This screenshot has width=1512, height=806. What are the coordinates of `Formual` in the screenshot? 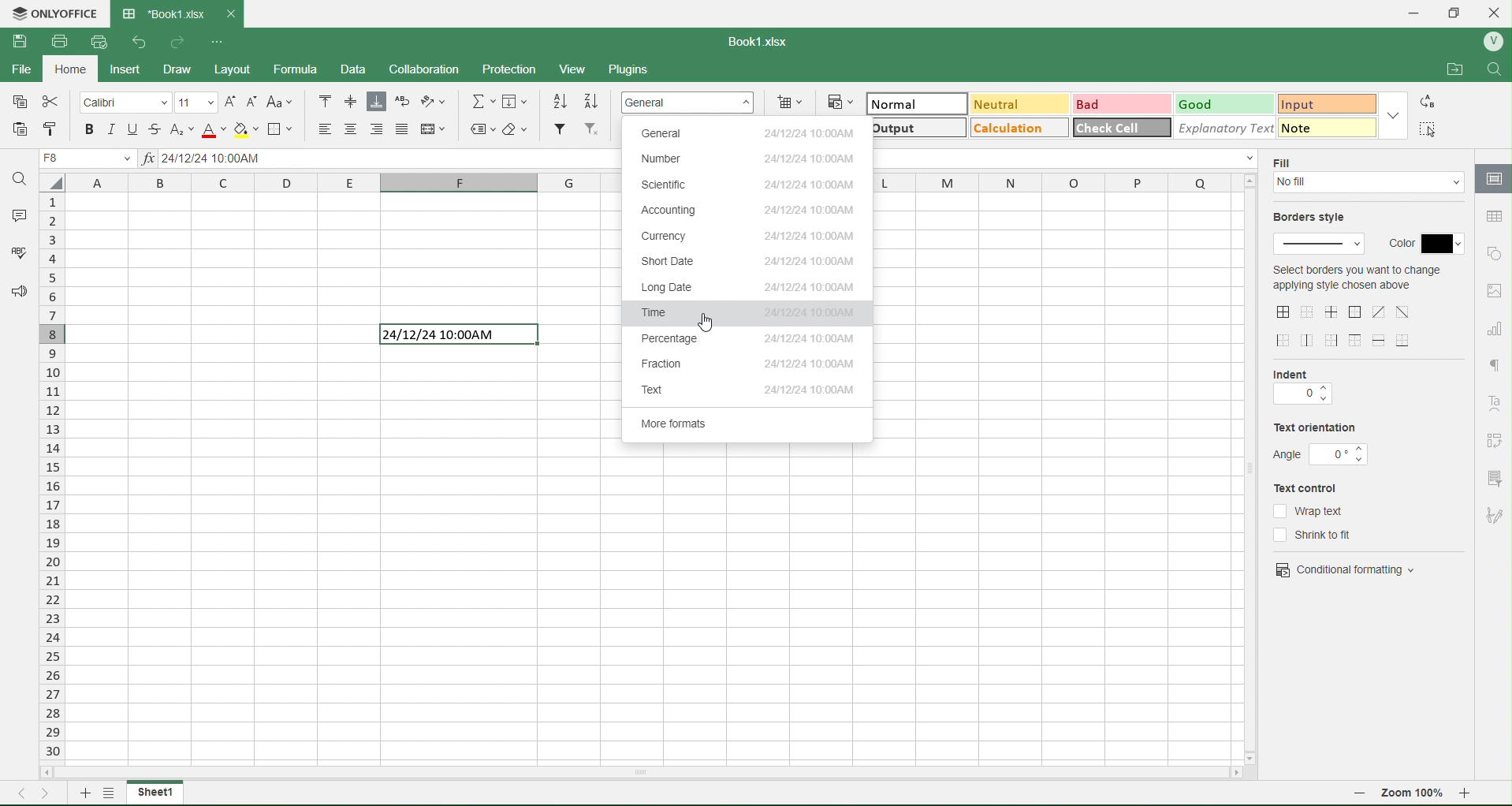 It's located at (307, 69).